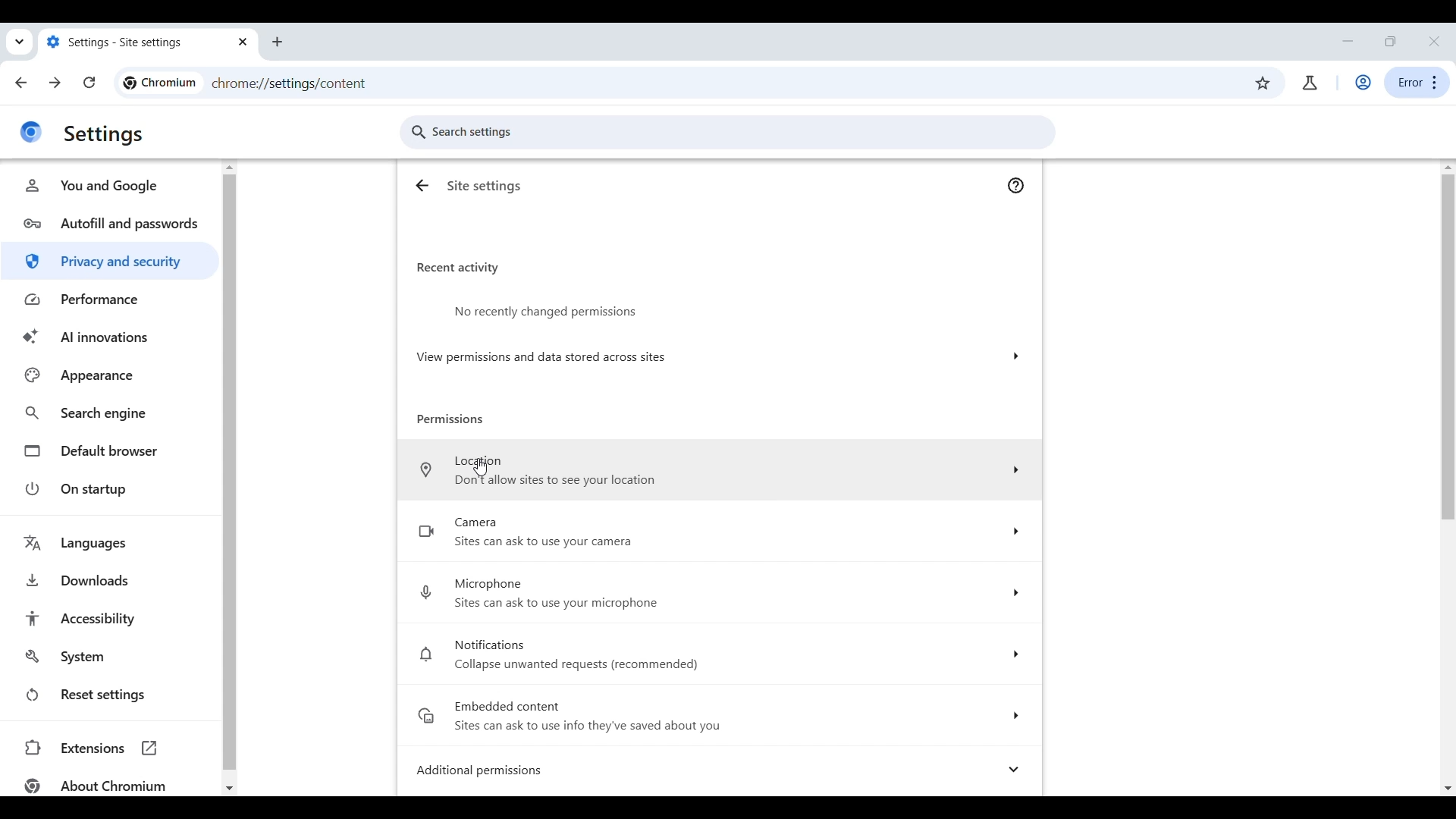 The image size is (1456, 819). I want to click on System, so click(108, 657).